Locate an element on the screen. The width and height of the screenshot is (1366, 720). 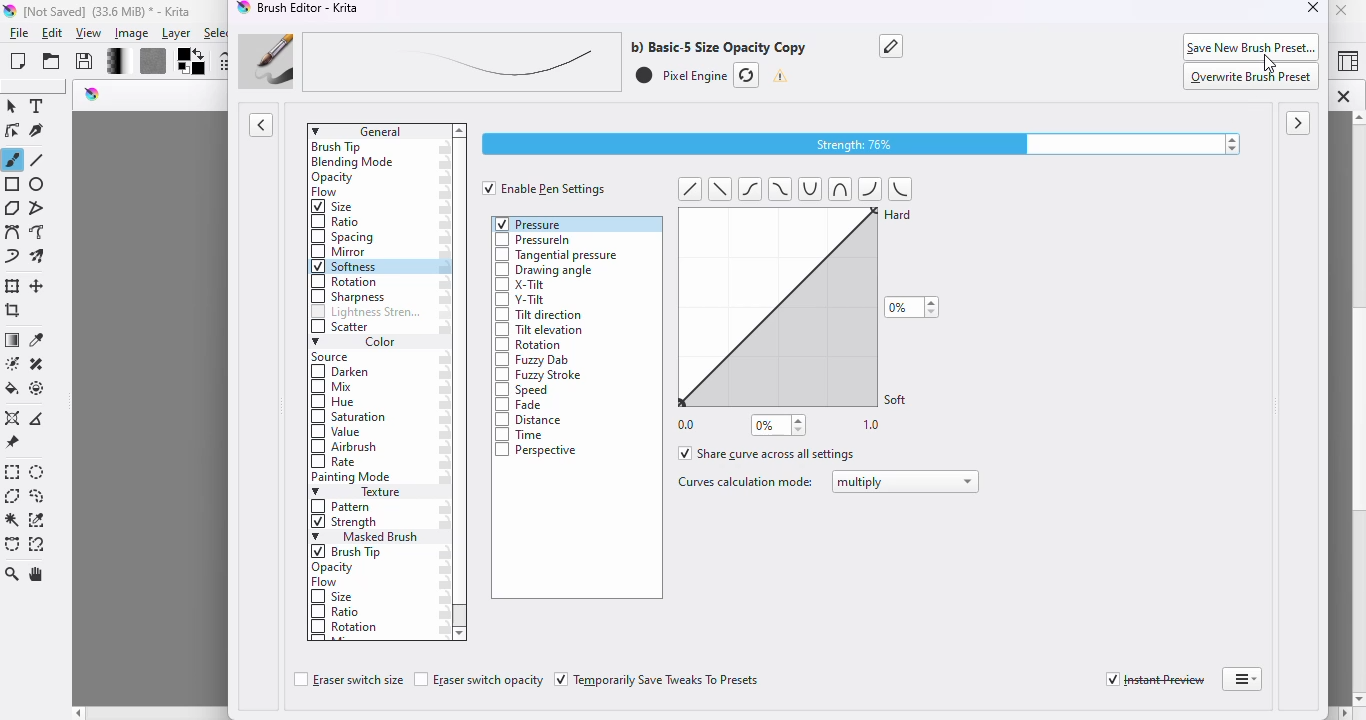
fuzzy dab is located at coordinates (532, 361).